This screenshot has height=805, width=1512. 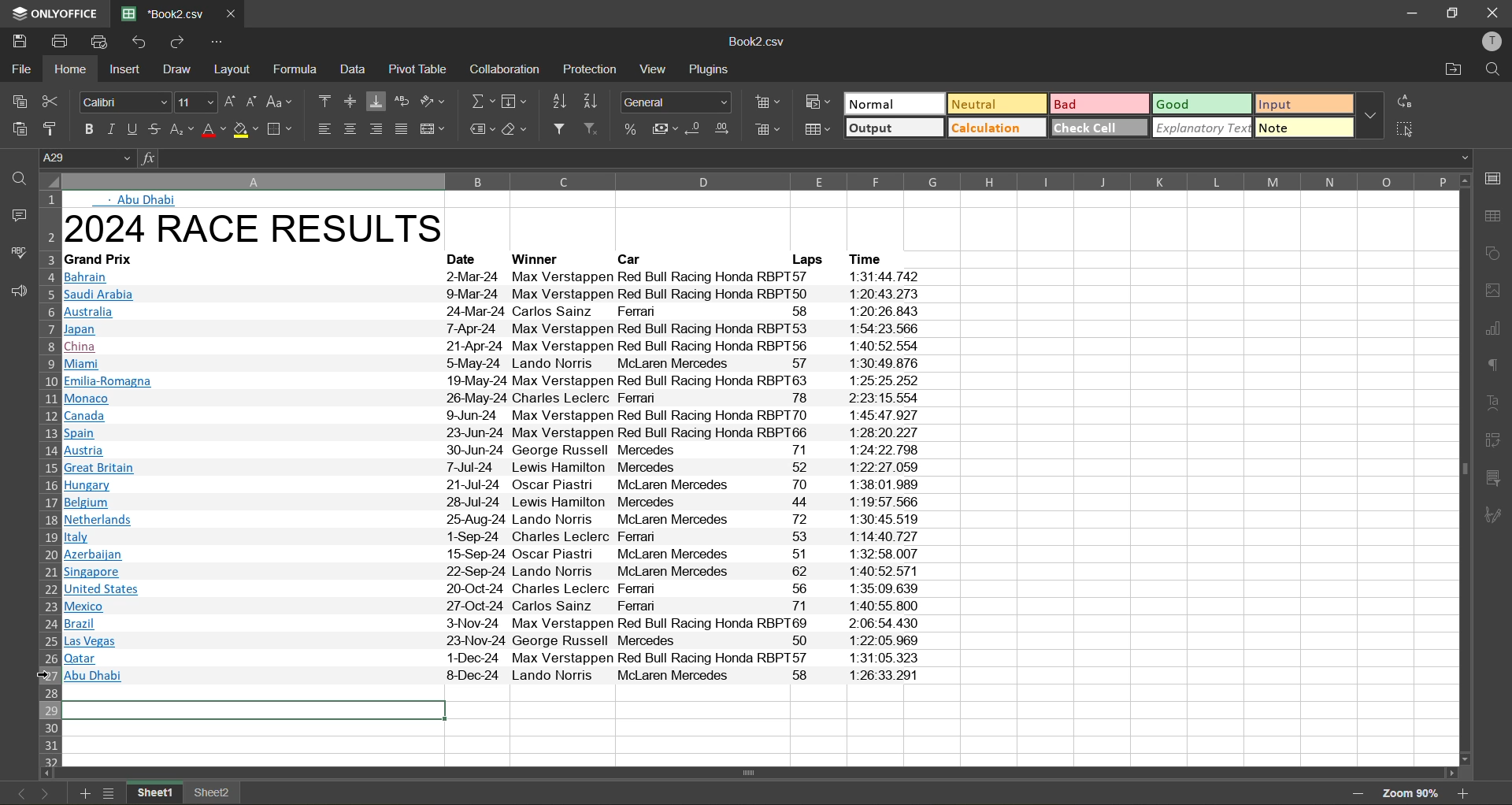 What do you see at coordinates (767, 132) in the screenshot?
I see `delete cells` at bounding box center [767, 132].